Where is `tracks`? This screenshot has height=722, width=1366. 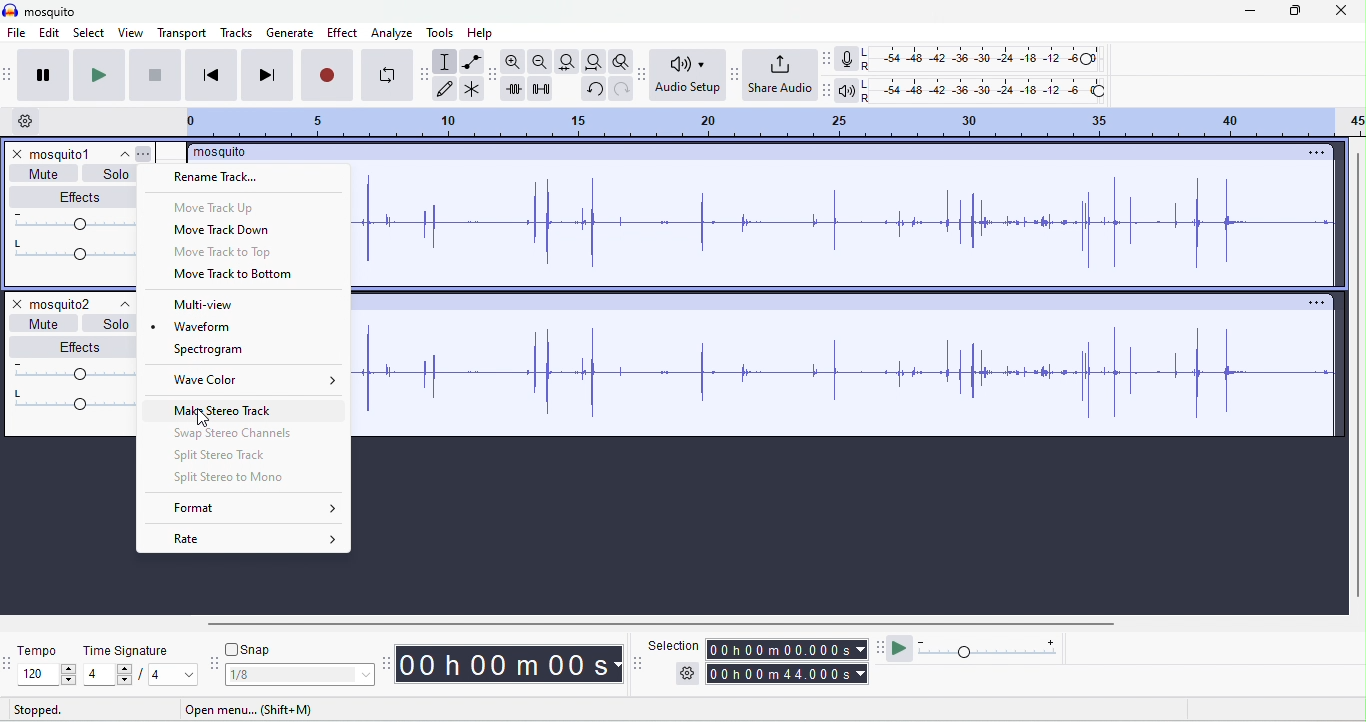
tracks is located at coordinates (237, 32).